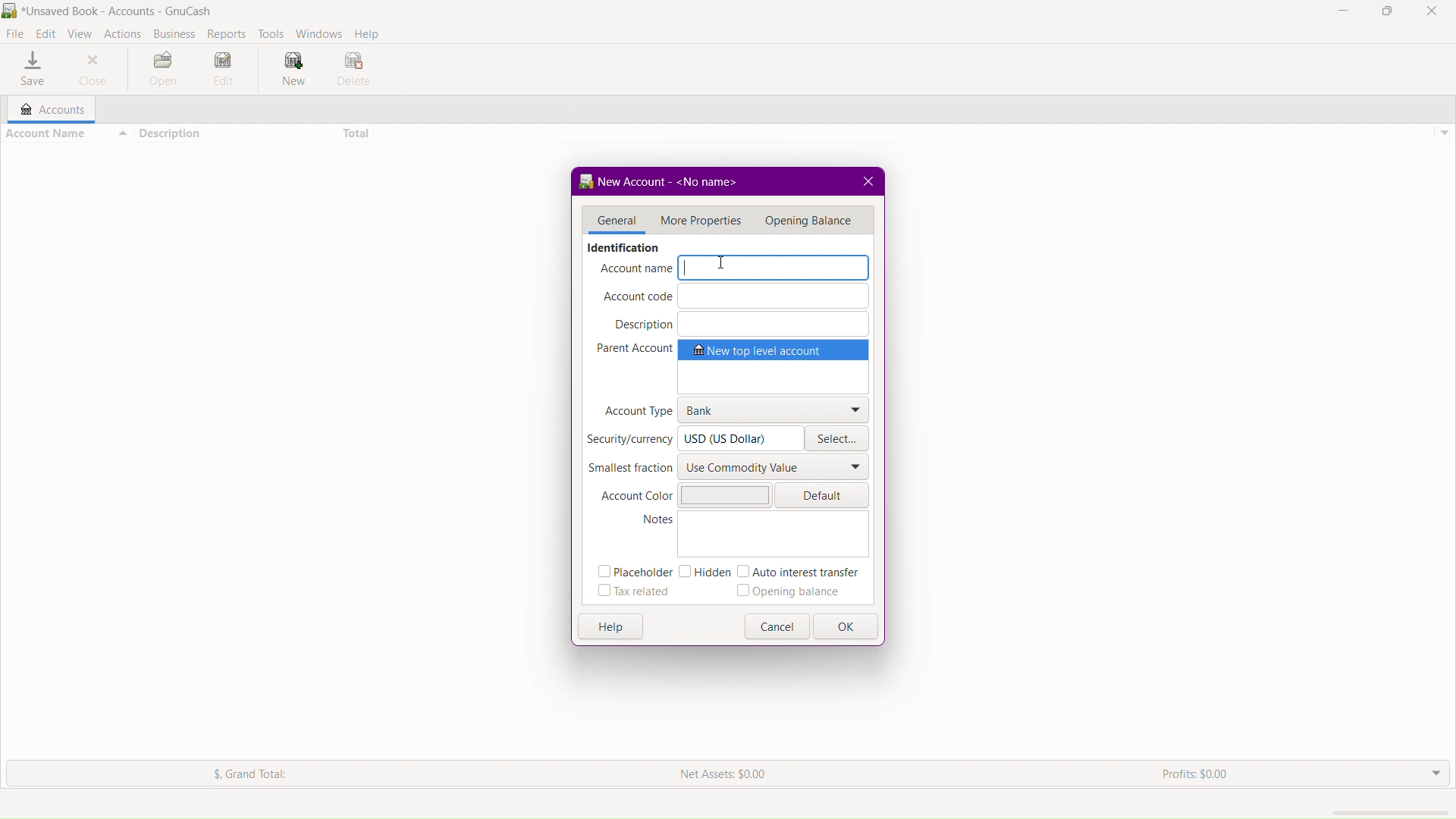 The image size is (1456, 819). Describe the element at coordinates (113, 10) in the screenshot. I see `BR *Unsaved Book - Accounts - GnuCash` at that location.